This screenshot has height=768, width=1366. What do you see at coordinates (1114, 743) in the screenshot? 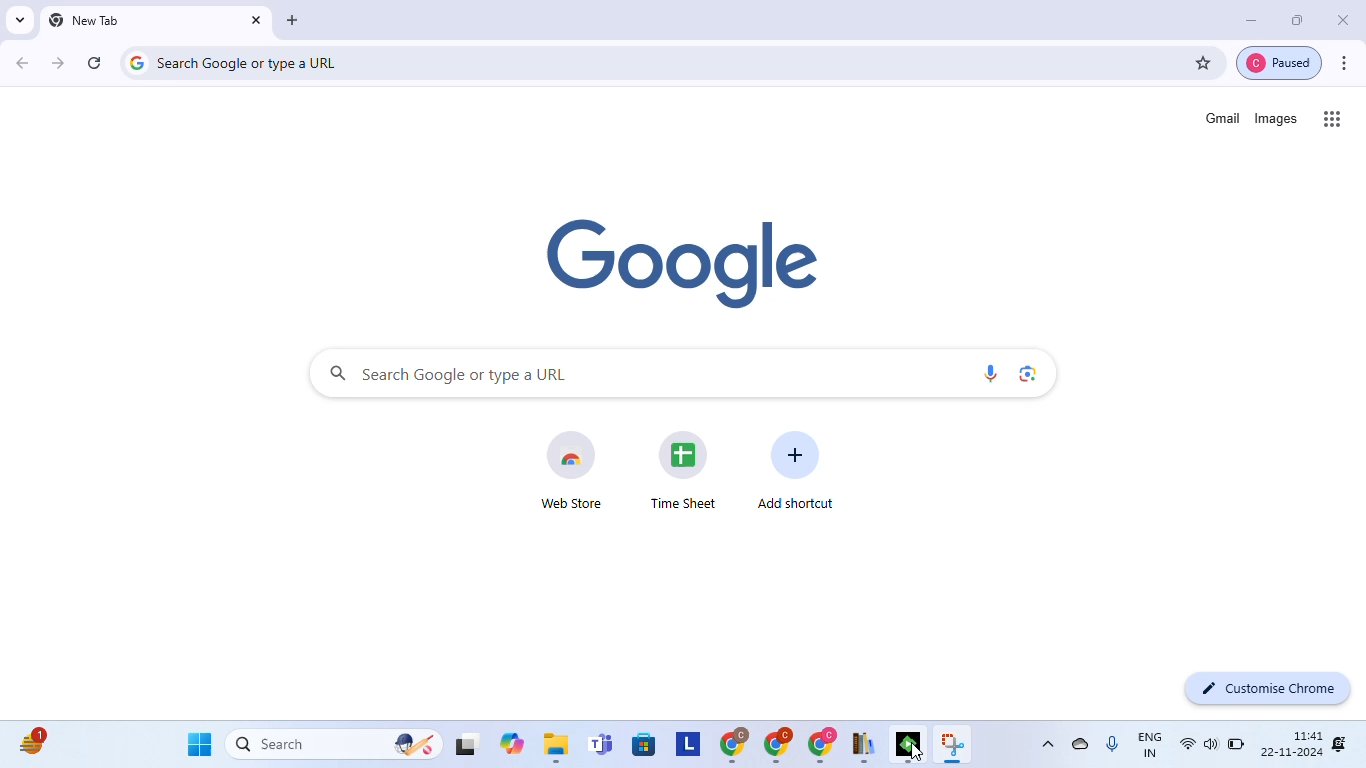
I see `mic` at bounding box center [1114, 743].